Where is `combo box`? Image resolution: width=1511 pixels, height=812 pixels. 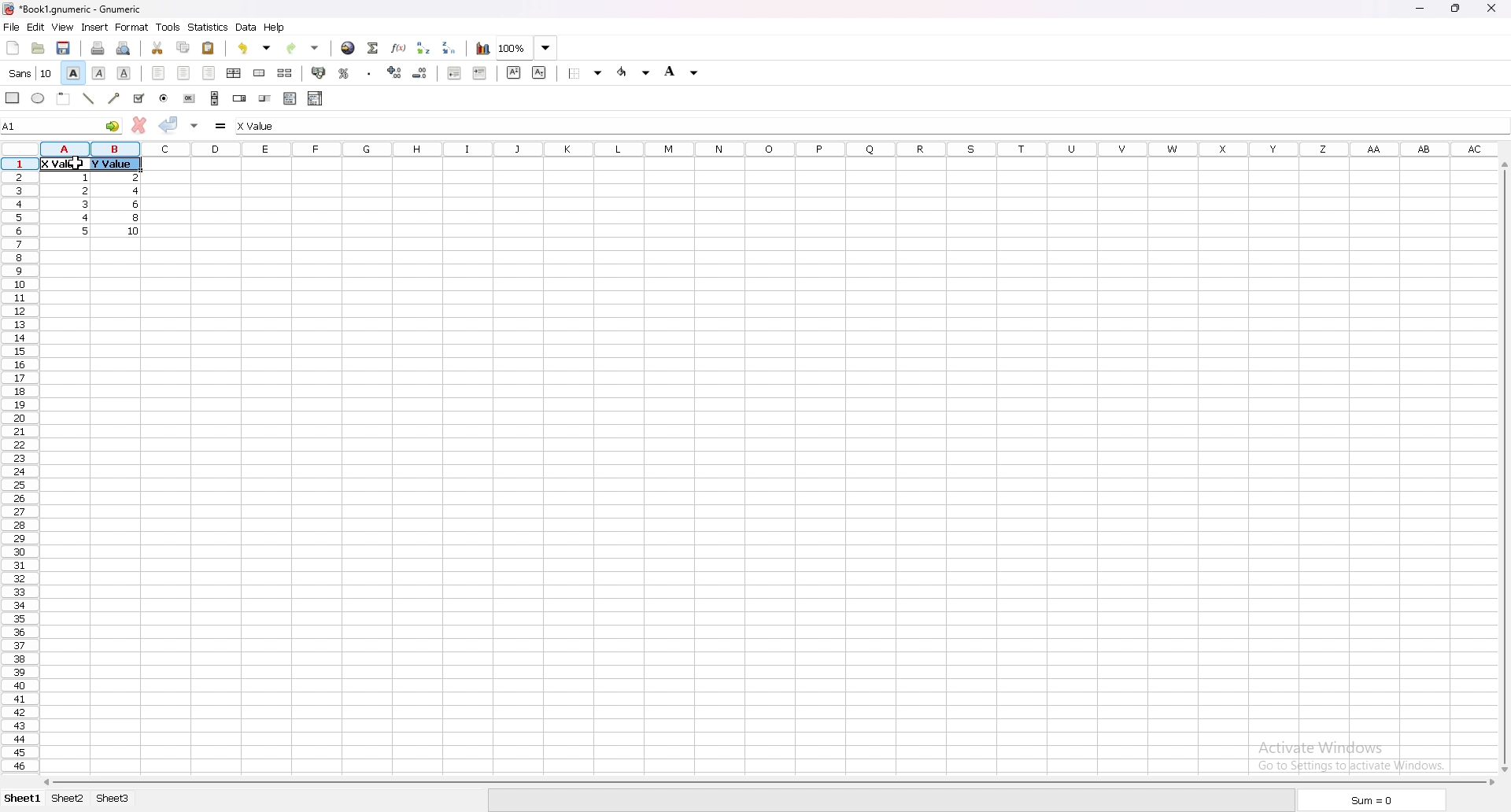 combo box is located at coordinates (315, 98).